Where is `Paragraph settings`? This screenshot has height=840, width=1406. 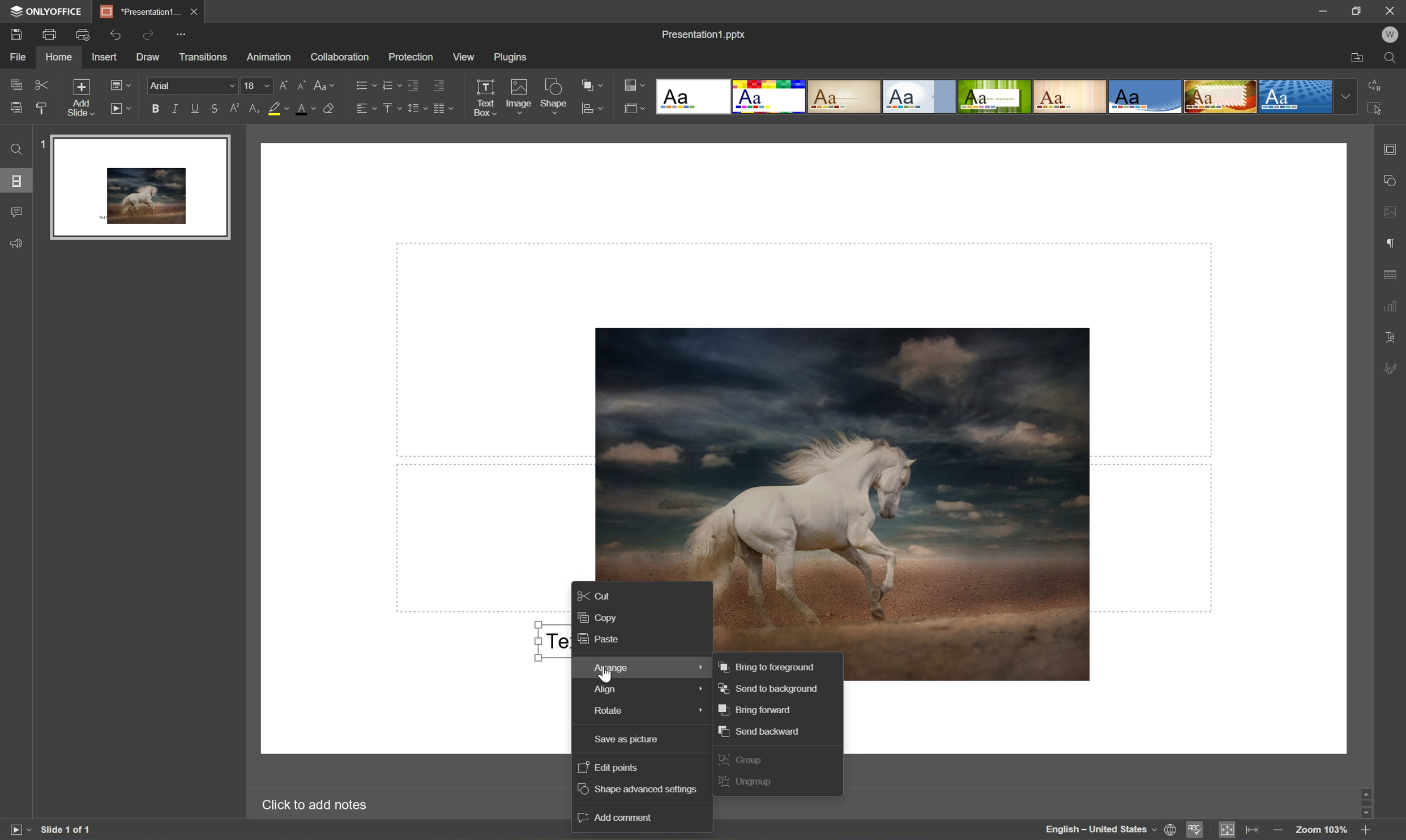 Paragraph settings is located at coordinates (1394, 242).